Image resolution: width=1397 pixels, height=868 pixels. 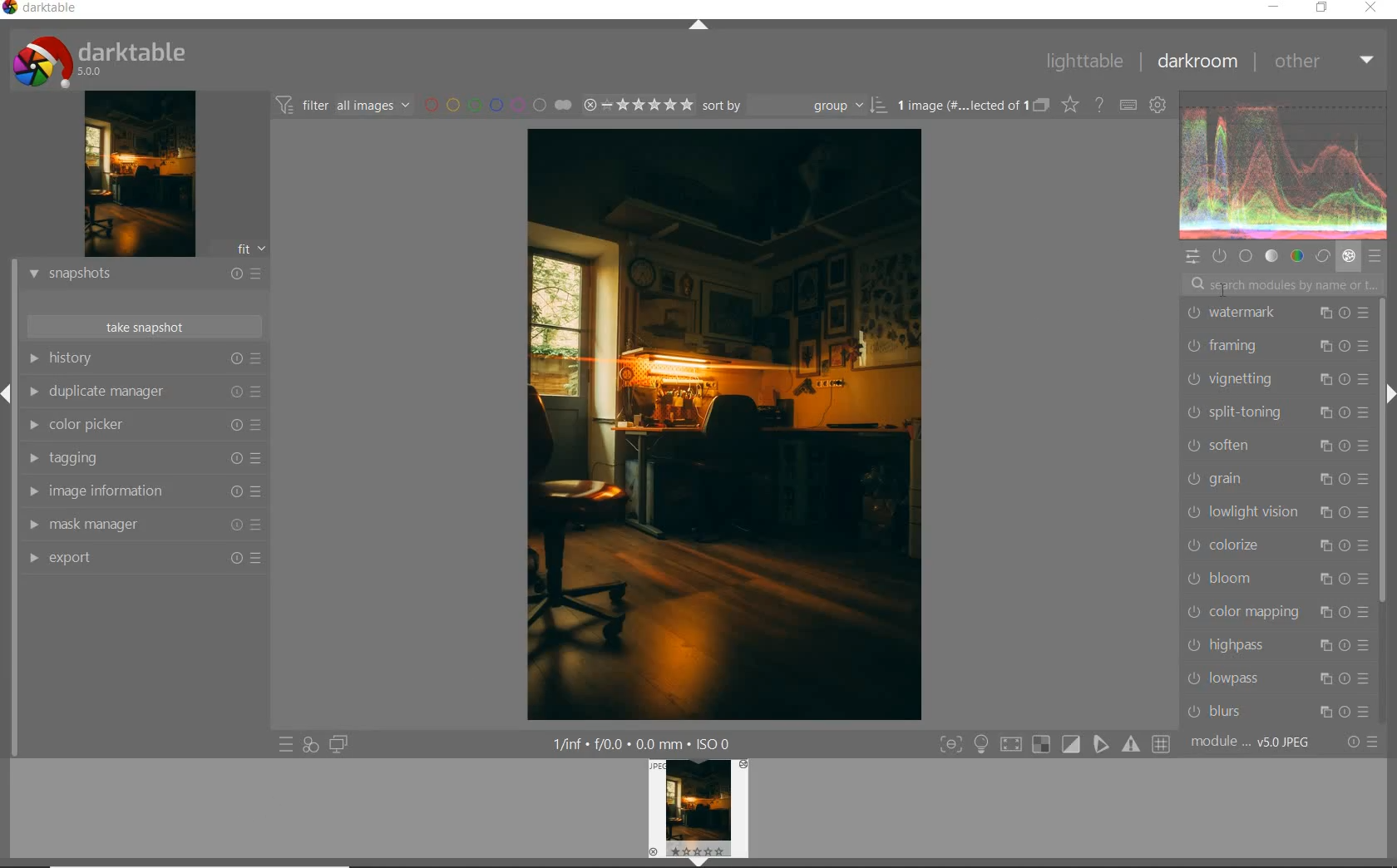 What do you see at coordinates (1277, 711) in the screenshot?
I see `blurs` at bounding box center [1277, 711].